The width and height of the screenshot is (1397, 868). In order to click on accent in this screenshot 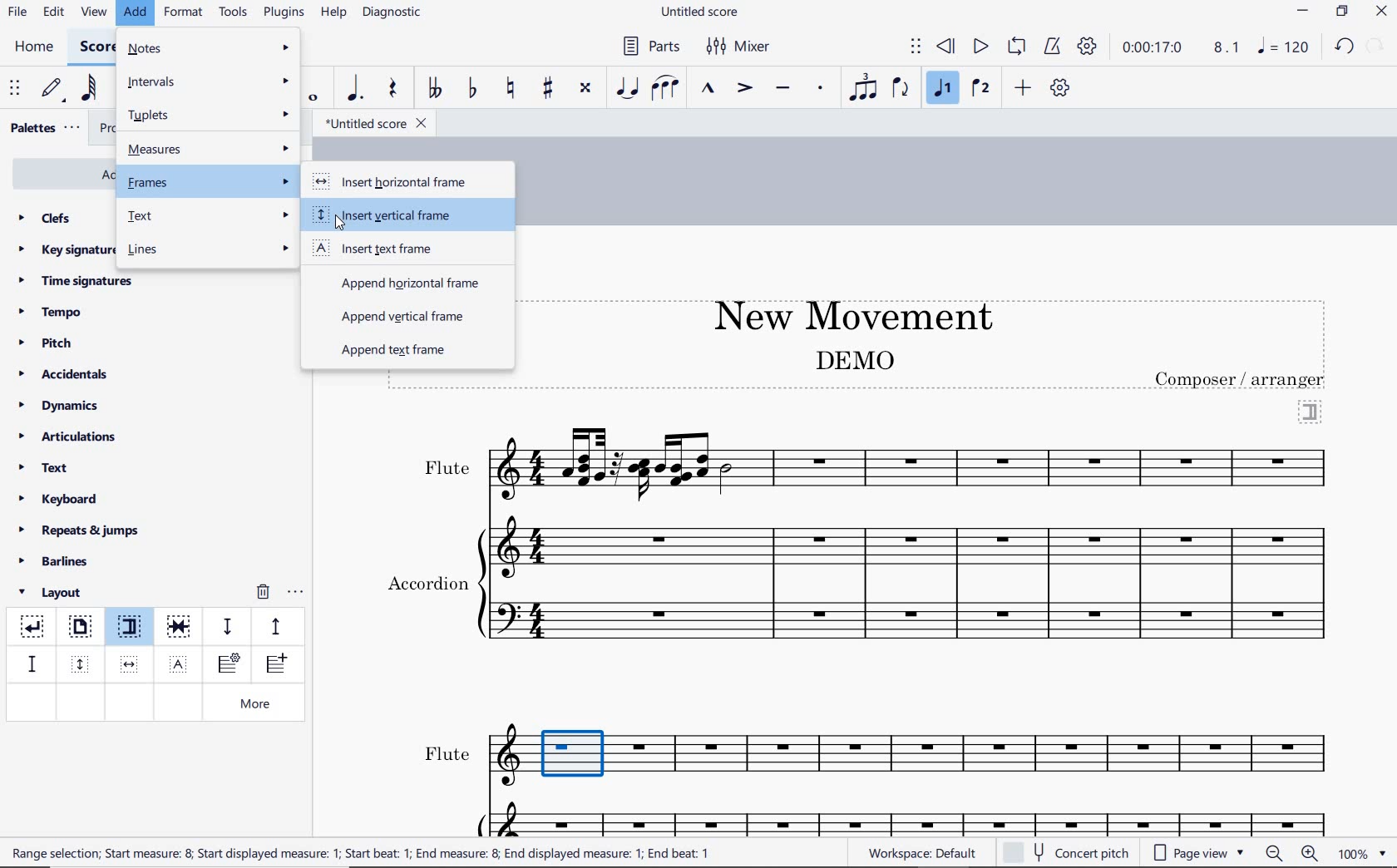, I will do `click(744, 88)`.